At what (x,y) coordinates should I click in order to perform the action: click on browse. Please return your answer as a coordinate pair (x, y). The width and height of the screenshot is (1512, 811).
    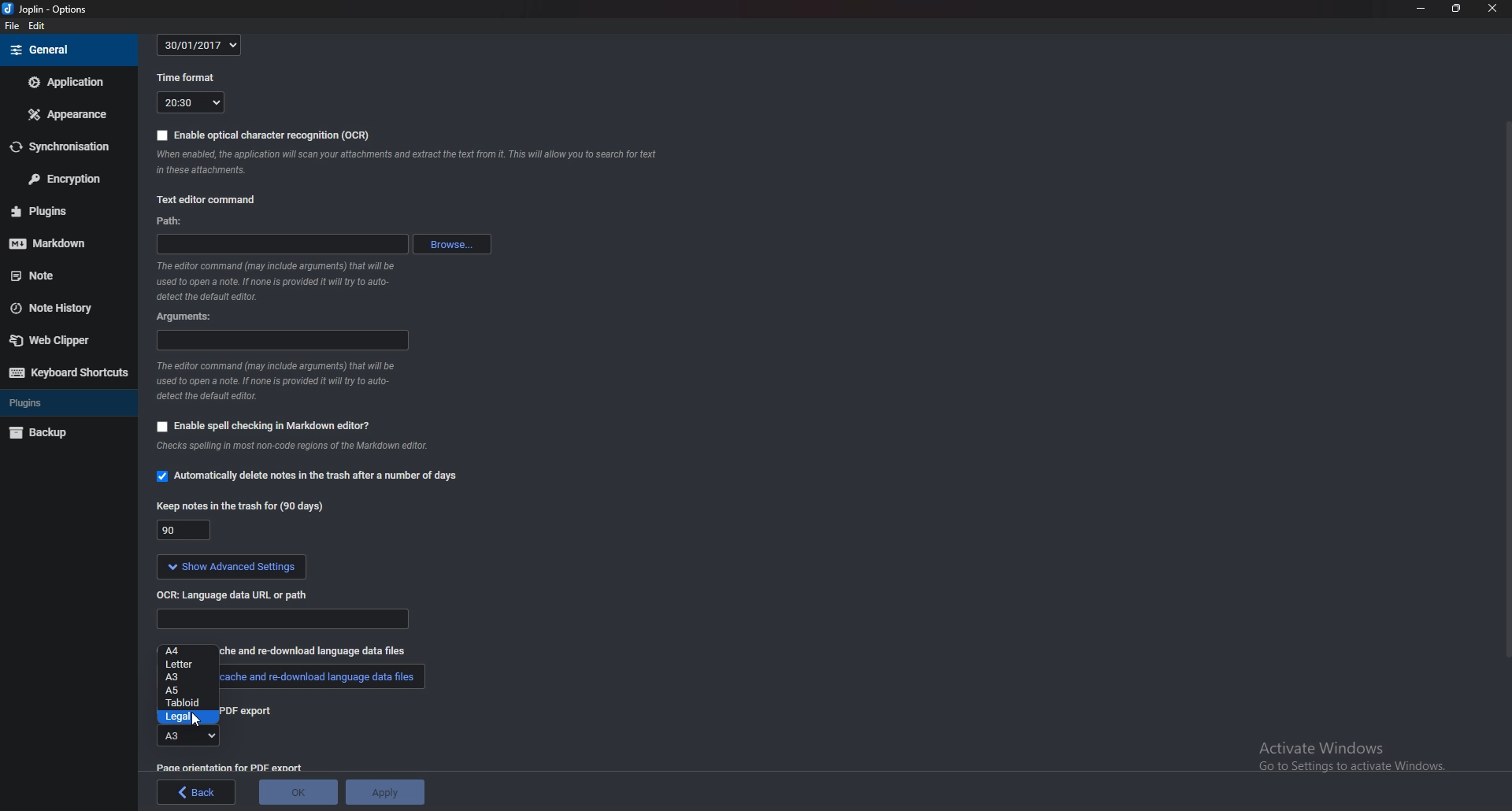
    Looking at the image, I should click on (452, 243).